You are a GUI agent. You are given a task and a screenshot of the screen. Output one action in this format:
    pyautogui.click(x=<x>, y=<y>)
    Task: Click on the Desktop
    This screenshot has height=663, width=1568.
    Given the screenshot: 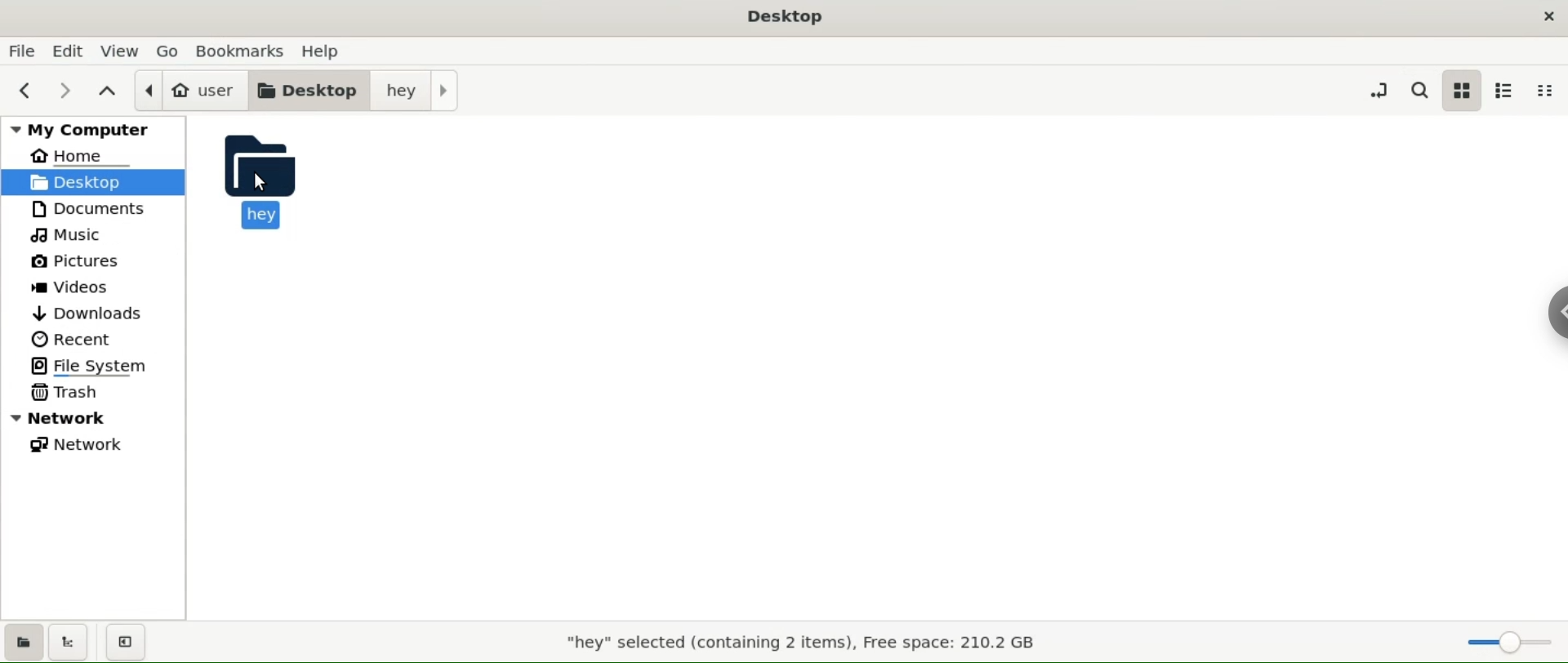 What is the action you would take?
    pyautogui.click(x=791, y=16)
    